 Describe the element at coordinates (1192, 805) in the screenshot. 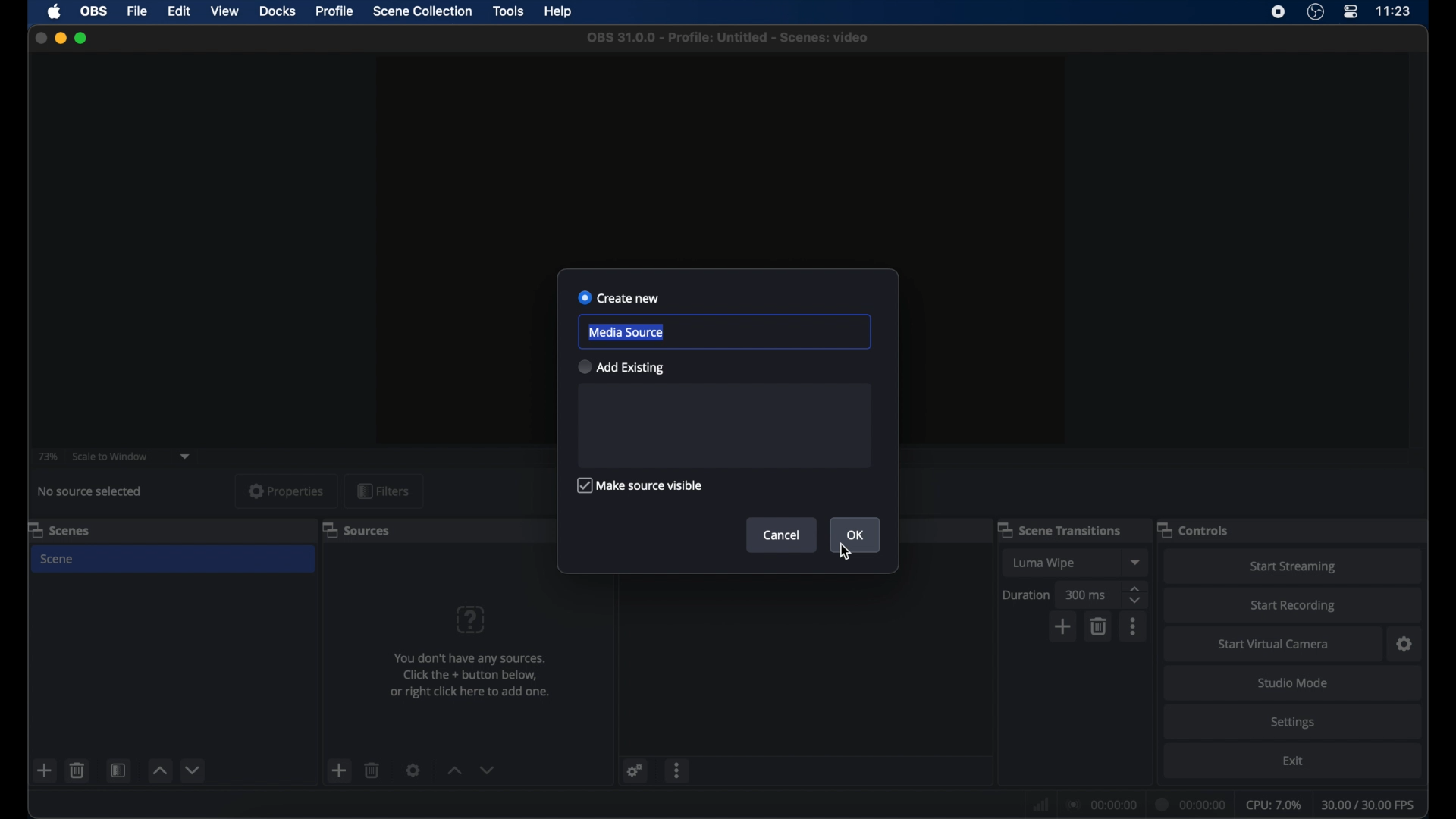

I see `duration` at that location.